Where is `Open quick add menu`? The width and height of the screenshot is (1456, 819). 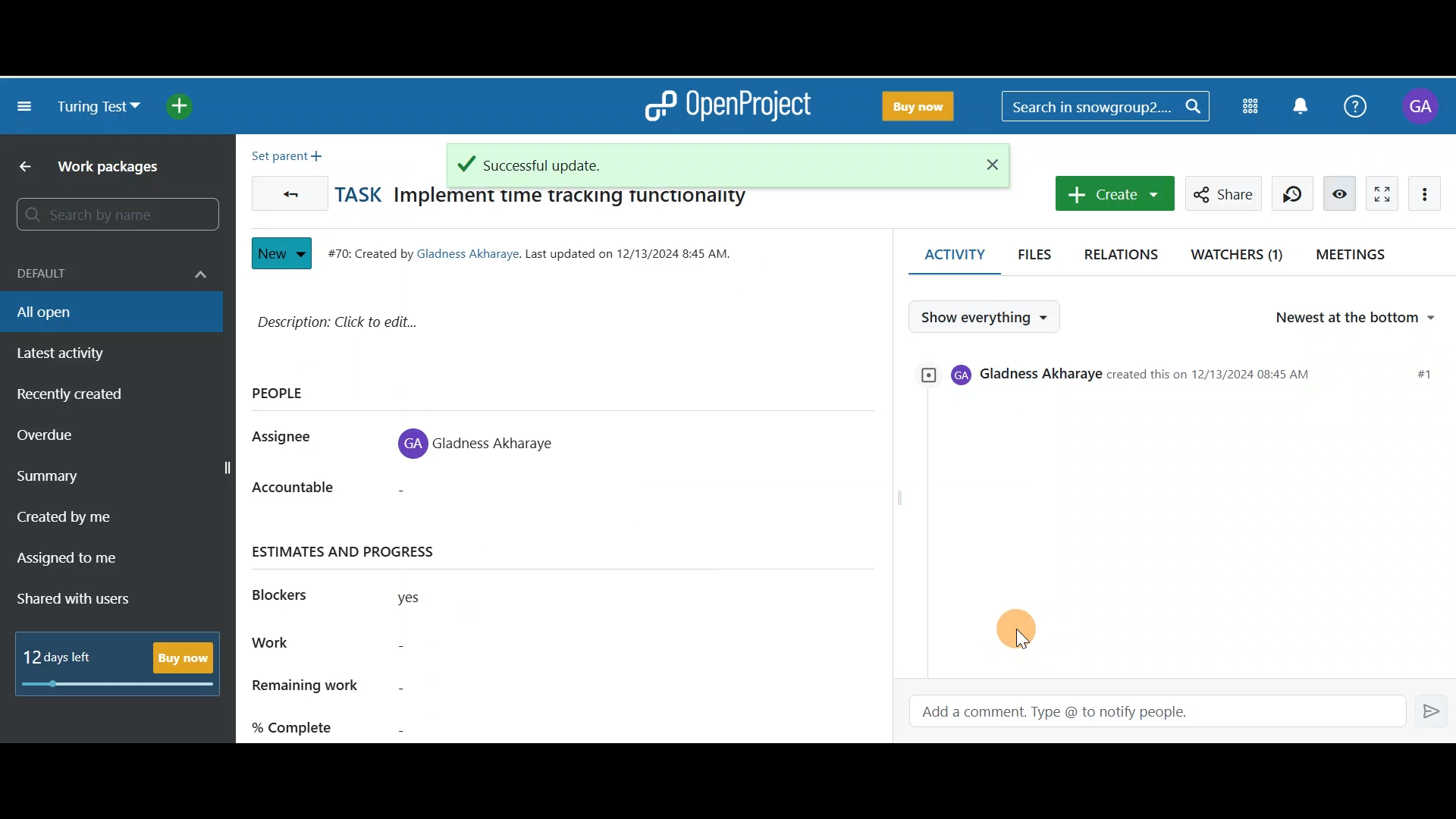
Open quick add menu is located at coordinates (187, 106).